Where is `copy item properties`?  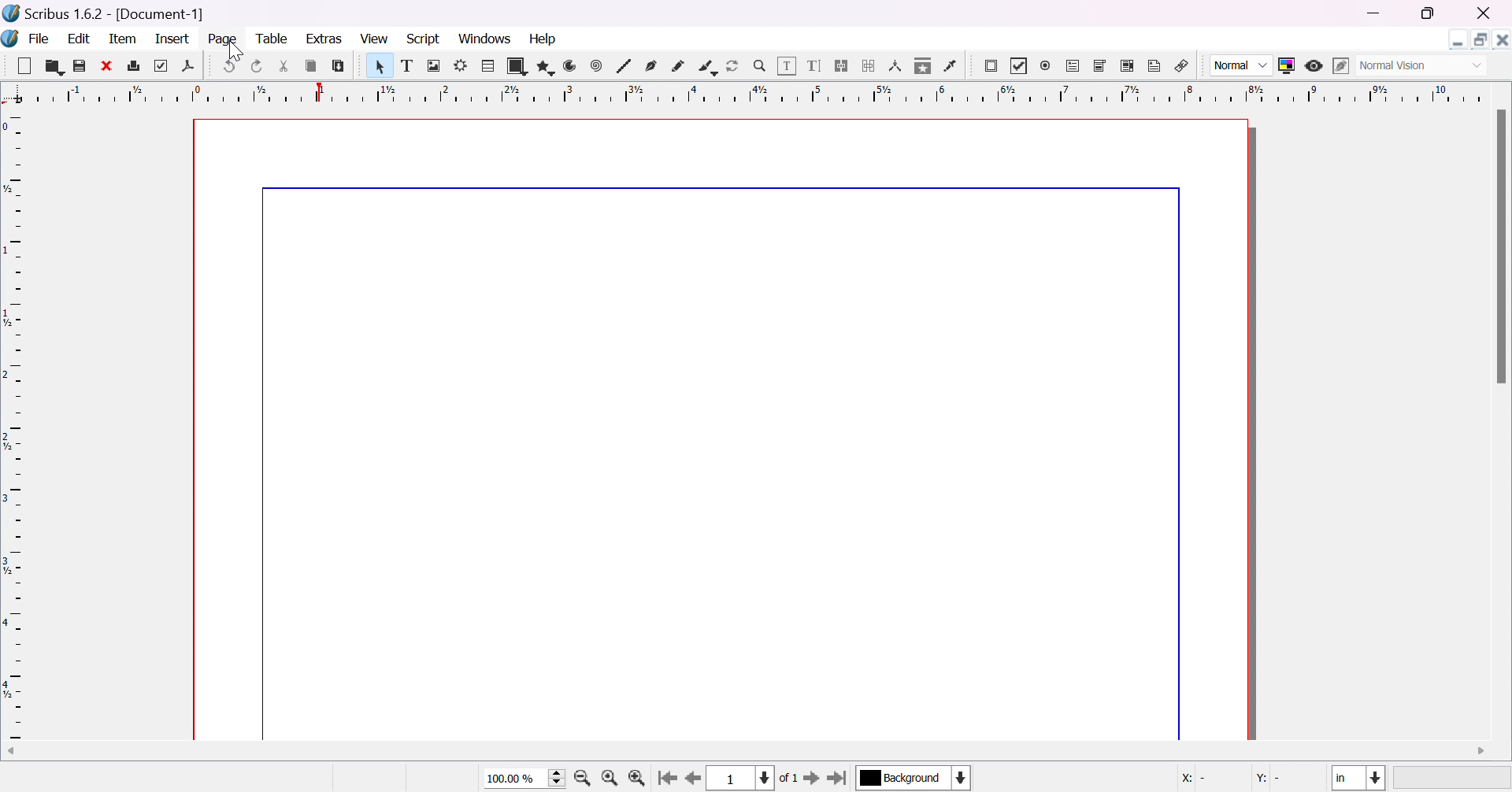
copy item properties is located at coordinates (925, 67).